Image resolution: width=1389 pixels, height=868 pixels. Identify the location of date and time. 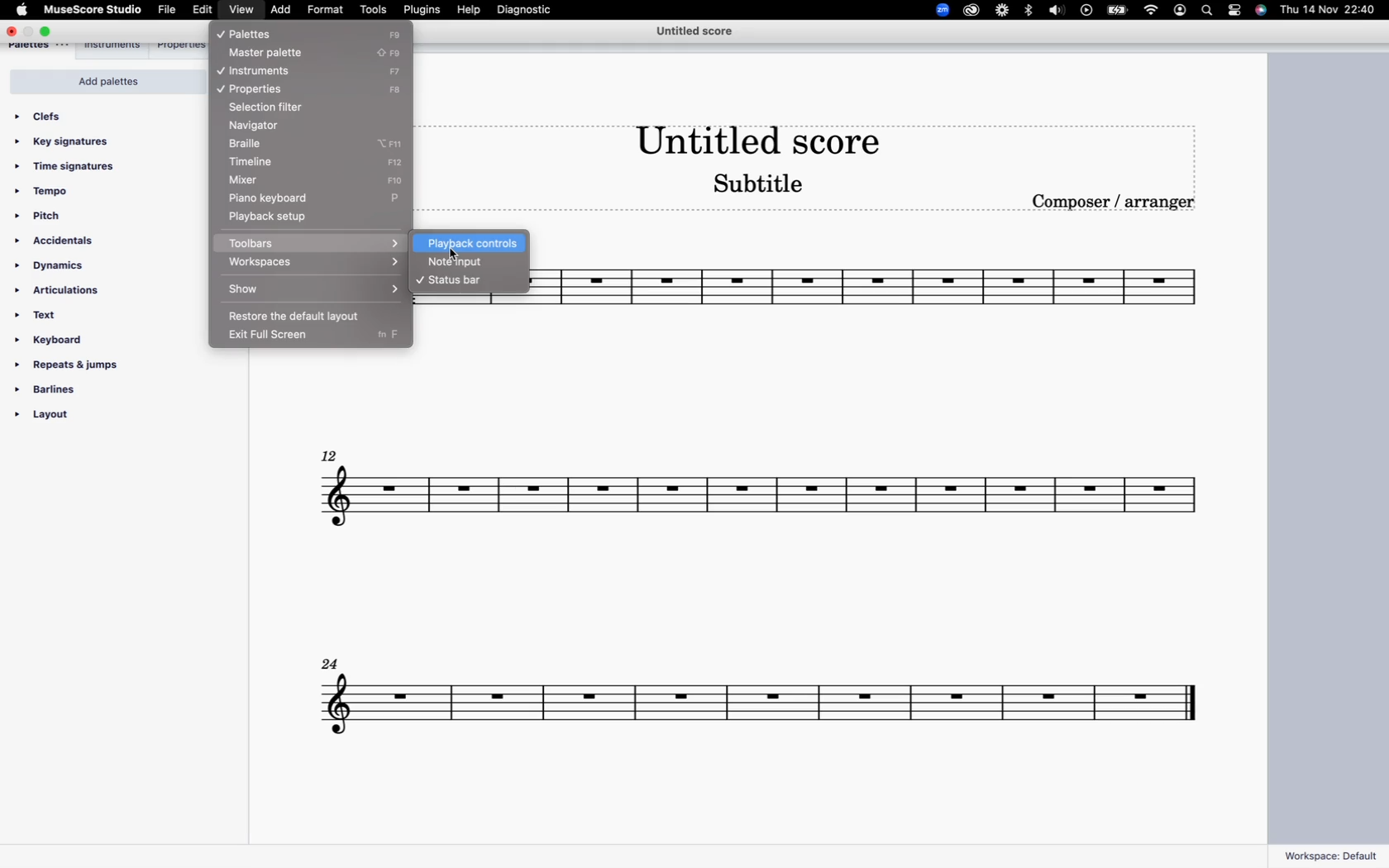
(1329, 11).